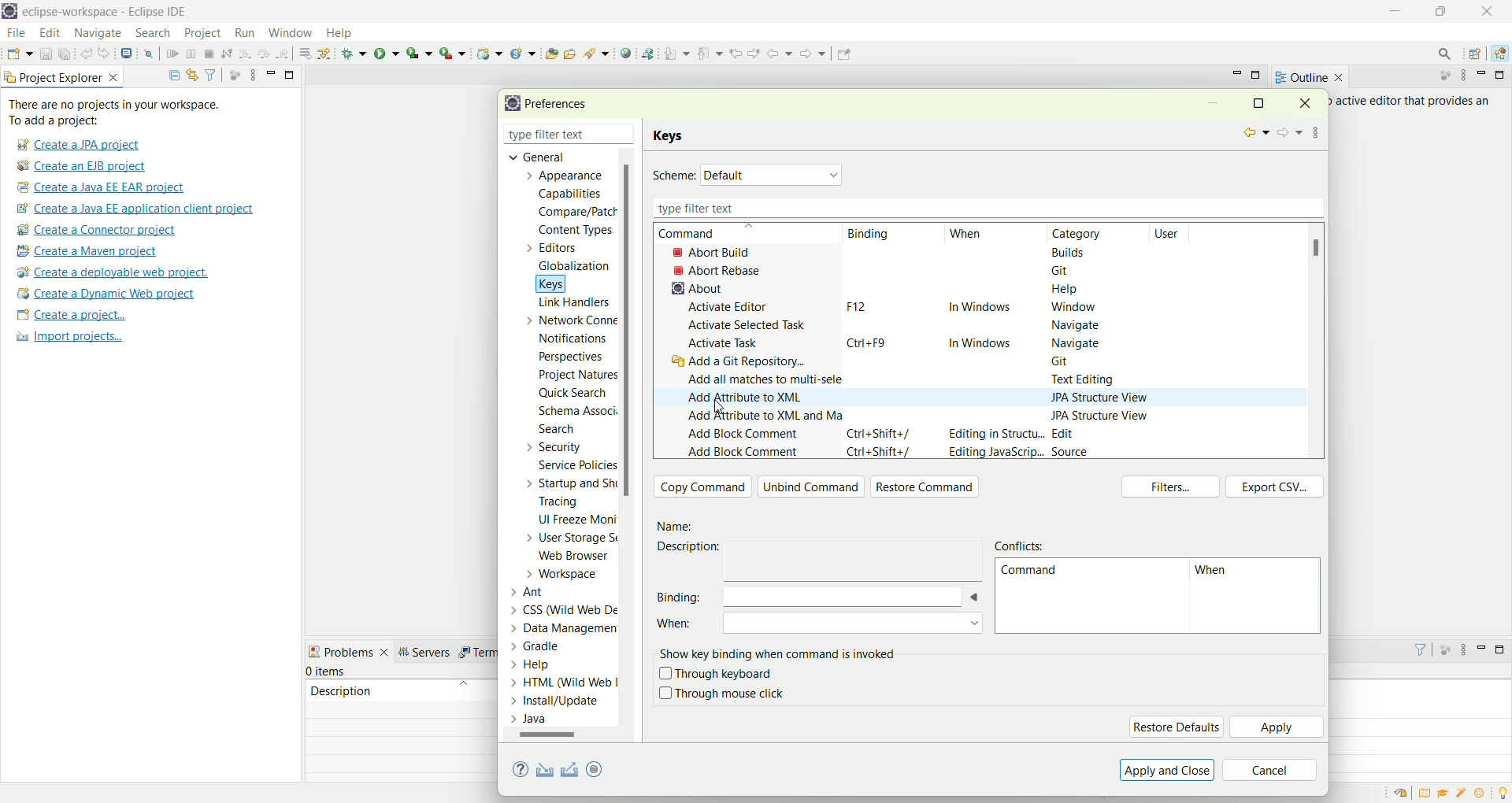  I want to click on overview, so click(1428, 793).